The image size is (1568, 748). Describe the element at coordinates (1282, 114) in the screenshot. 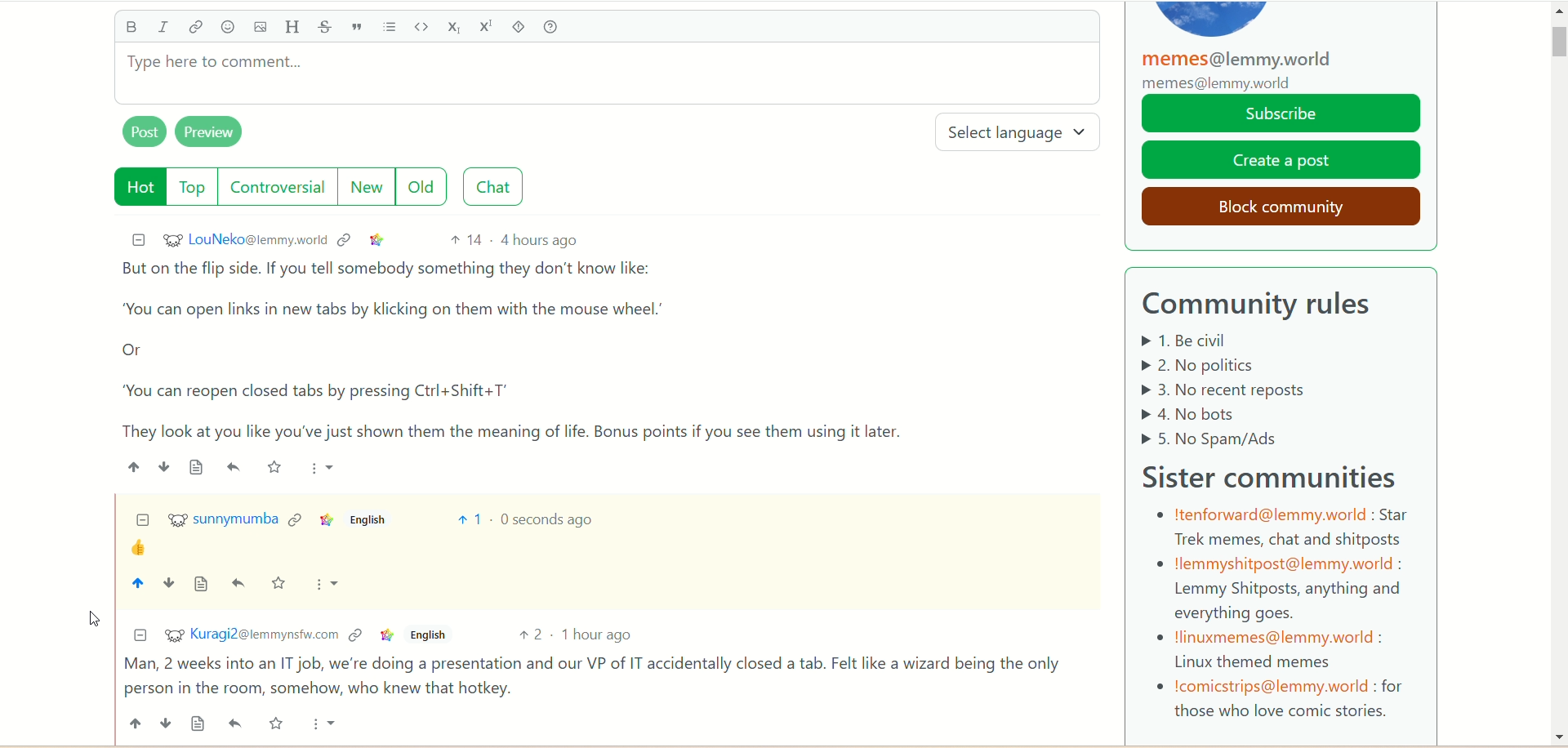

I see `subscribe` at that location.